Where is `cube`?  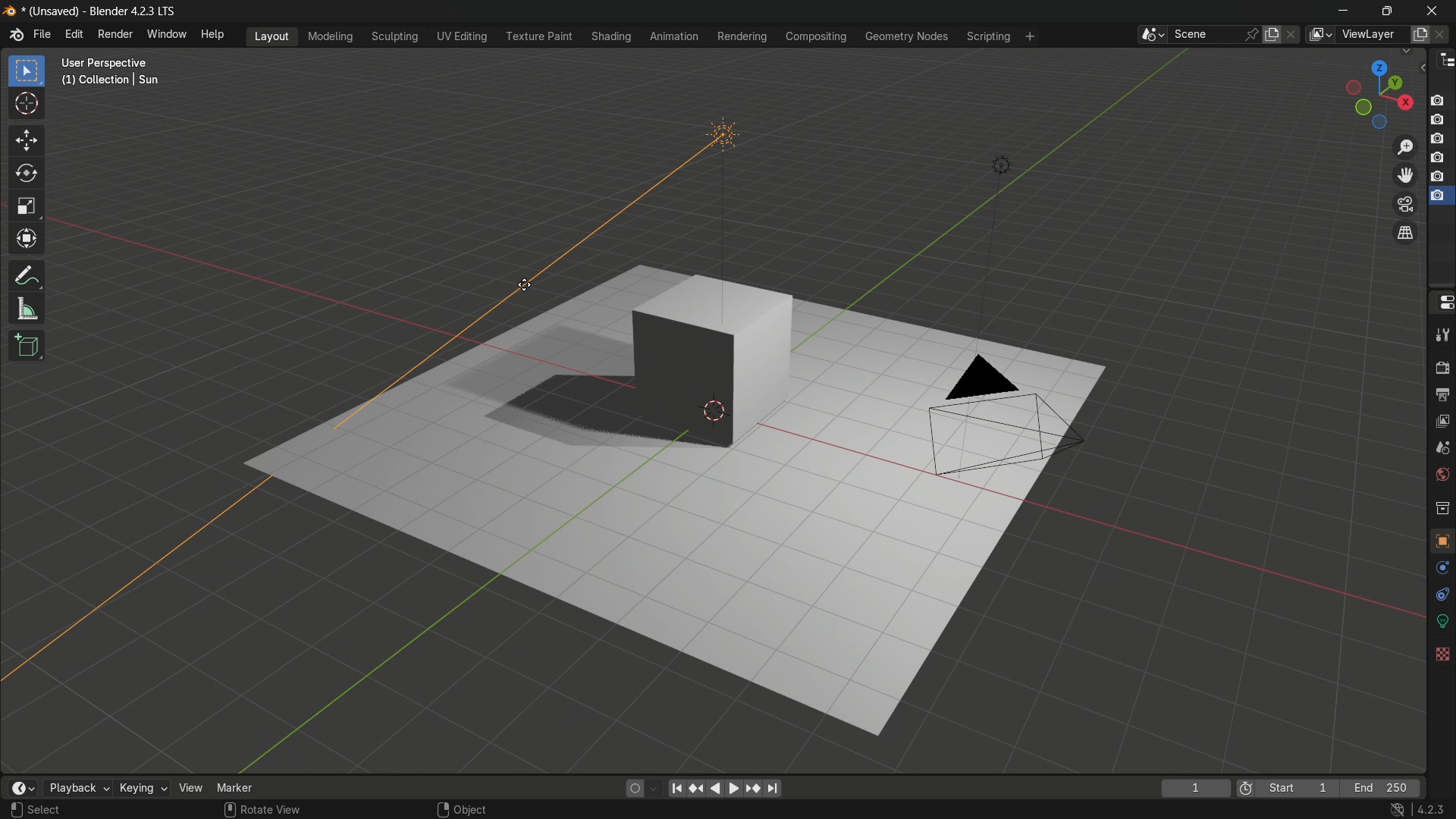
cube is located at coordinates (716, 359).